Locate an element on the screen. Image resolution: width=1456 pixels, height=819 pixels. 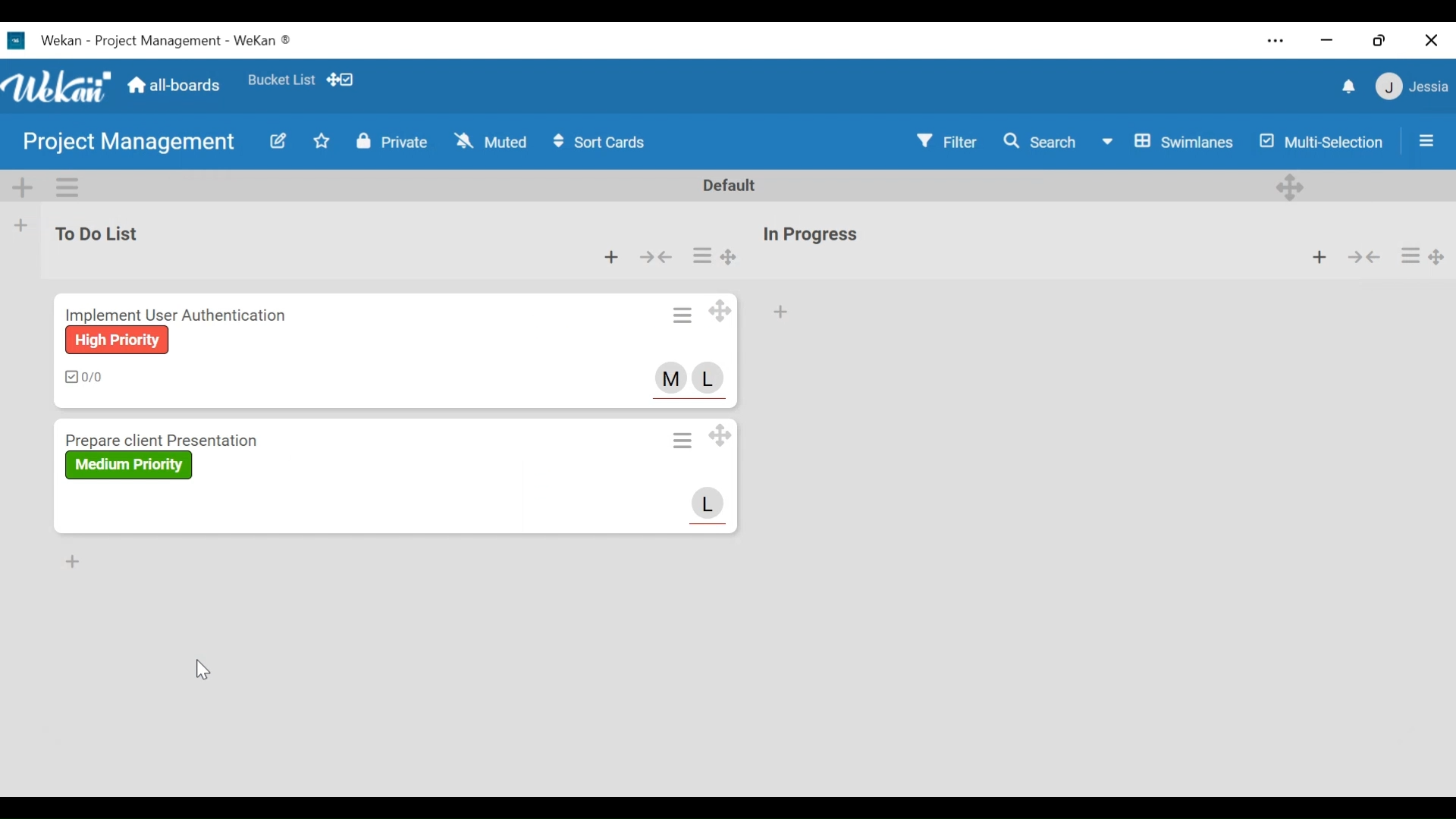
Card Title is located at coordinates (170, 441).